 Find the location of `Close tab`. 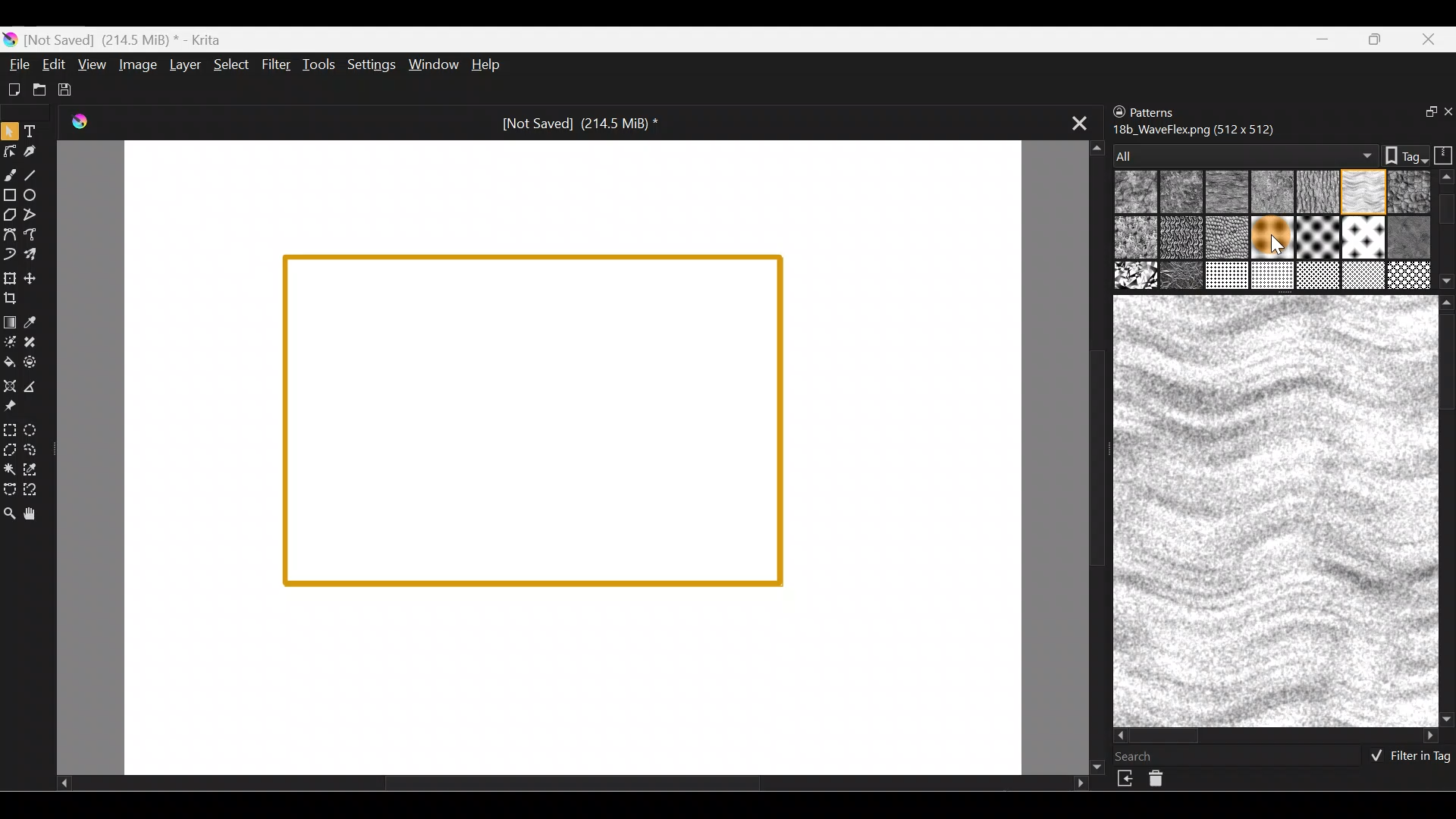

Close tab is located at coordinates (1073, 124).